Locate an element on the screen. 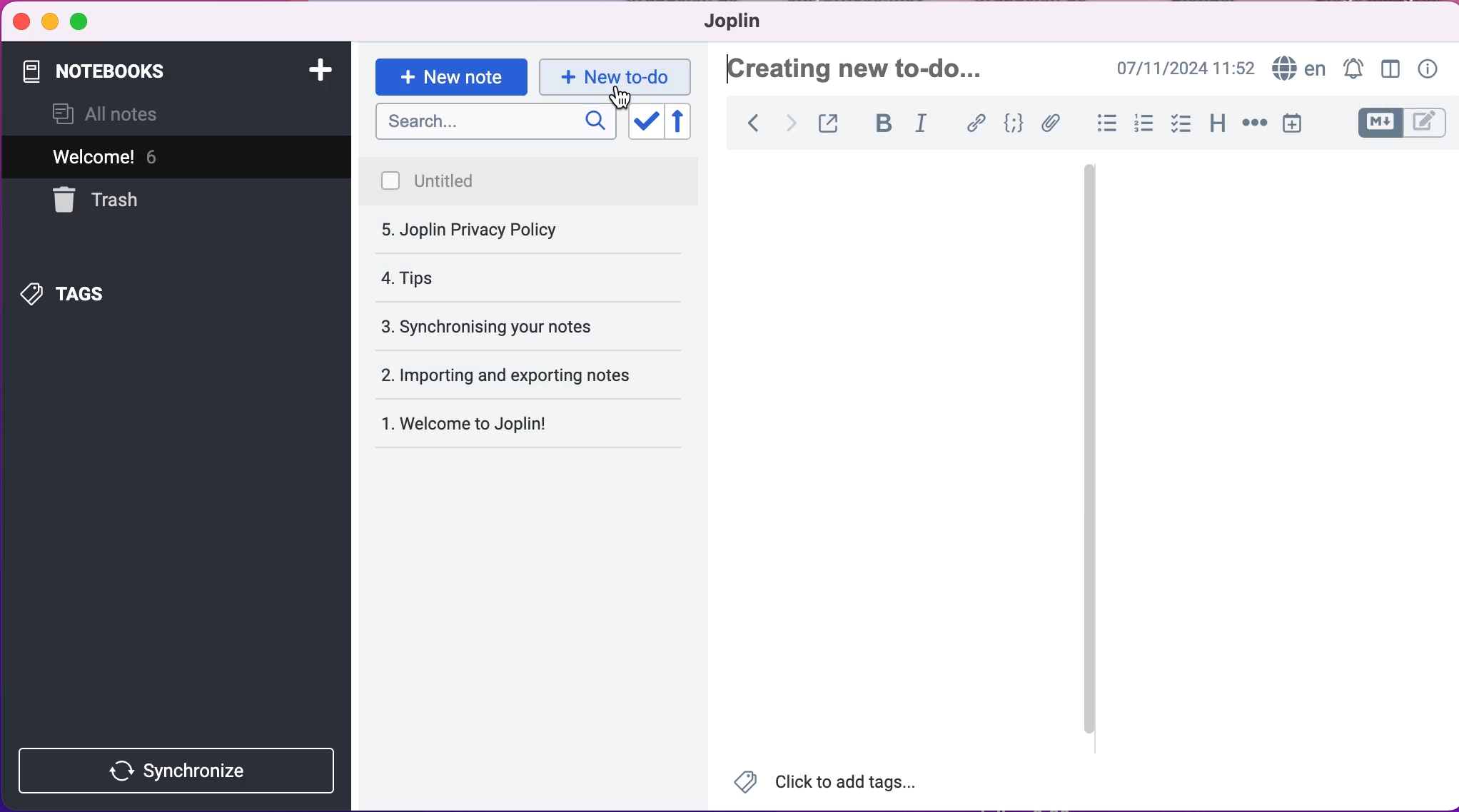 The width and height of the screenshot is (1459, 812). importing and exporting notes is located at coordinates (536, 325).